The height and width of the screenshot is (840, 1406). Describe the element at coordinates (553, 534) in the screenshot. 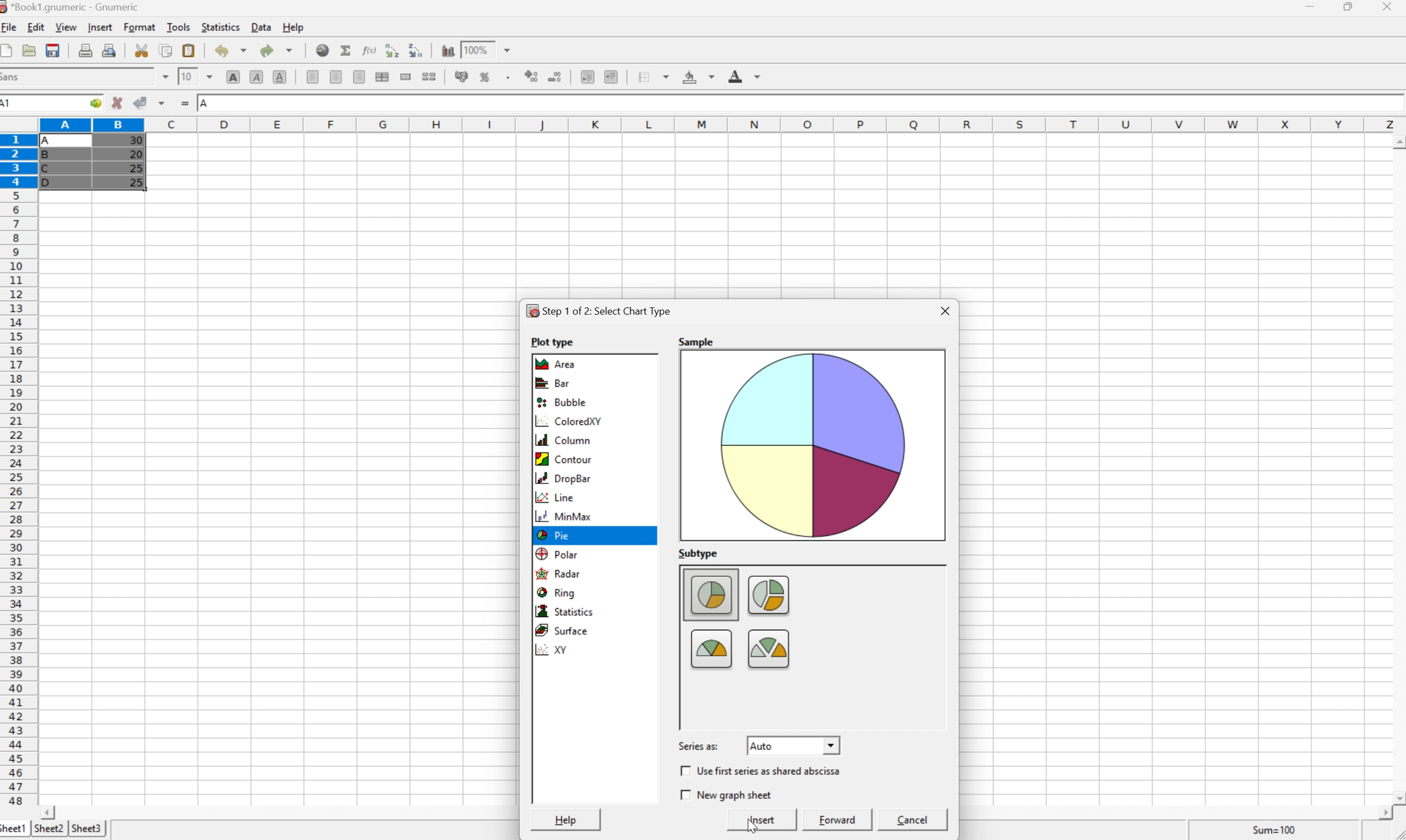

I see `Pie` at that location.